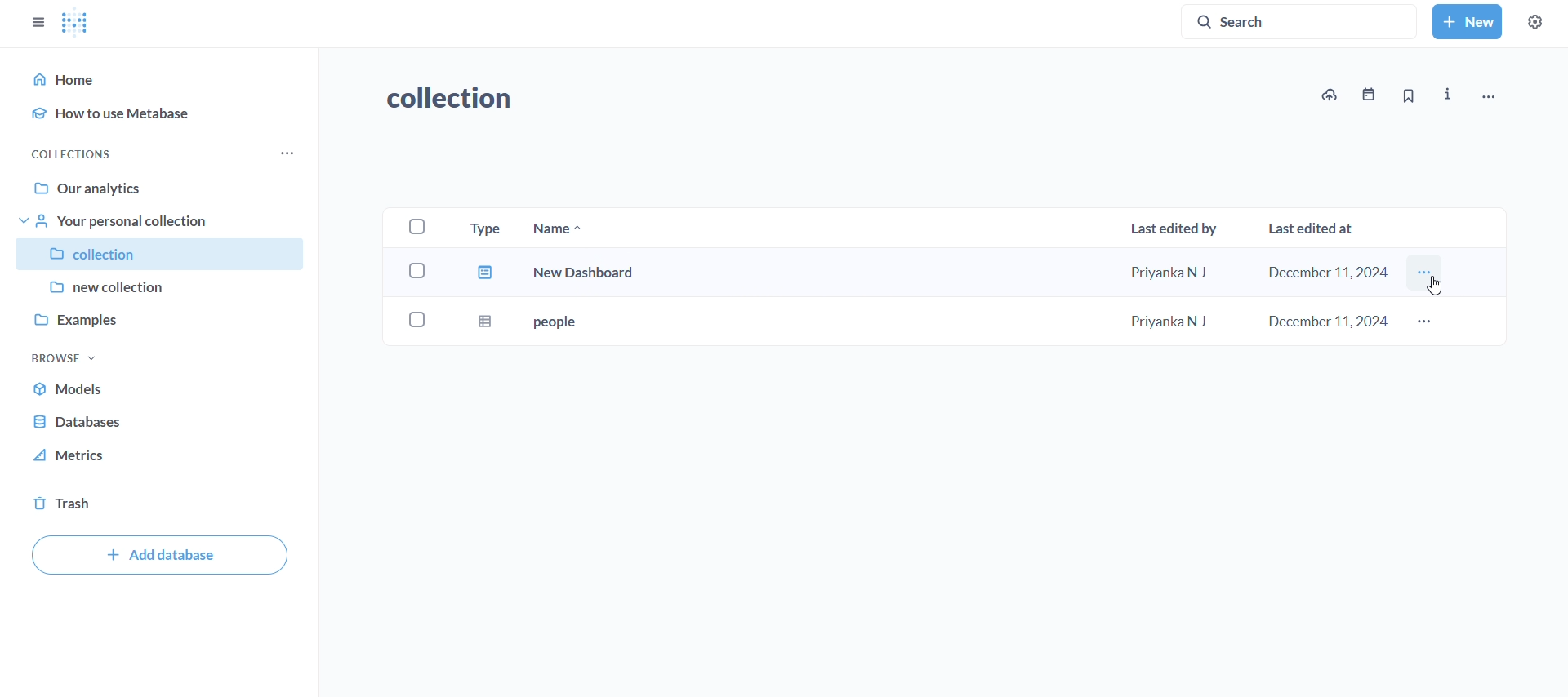  What do you see at coordinates (933, 275) in the screenshot?
I see `new dashboard` at bounding box center [933, 275].